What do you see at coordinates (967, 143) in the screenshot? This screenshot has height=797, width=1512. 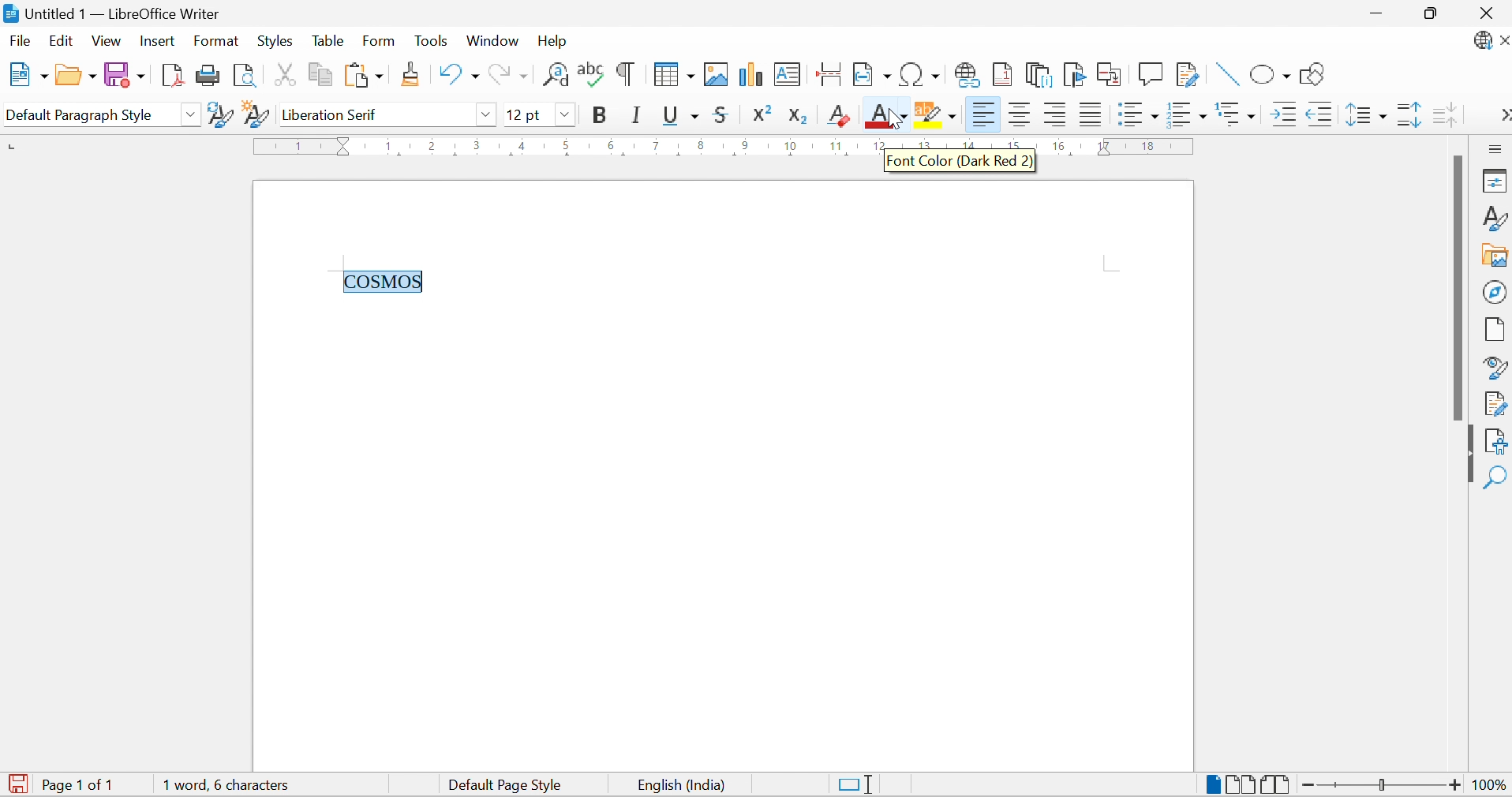 I see `14` at bounding box center [967, 143].